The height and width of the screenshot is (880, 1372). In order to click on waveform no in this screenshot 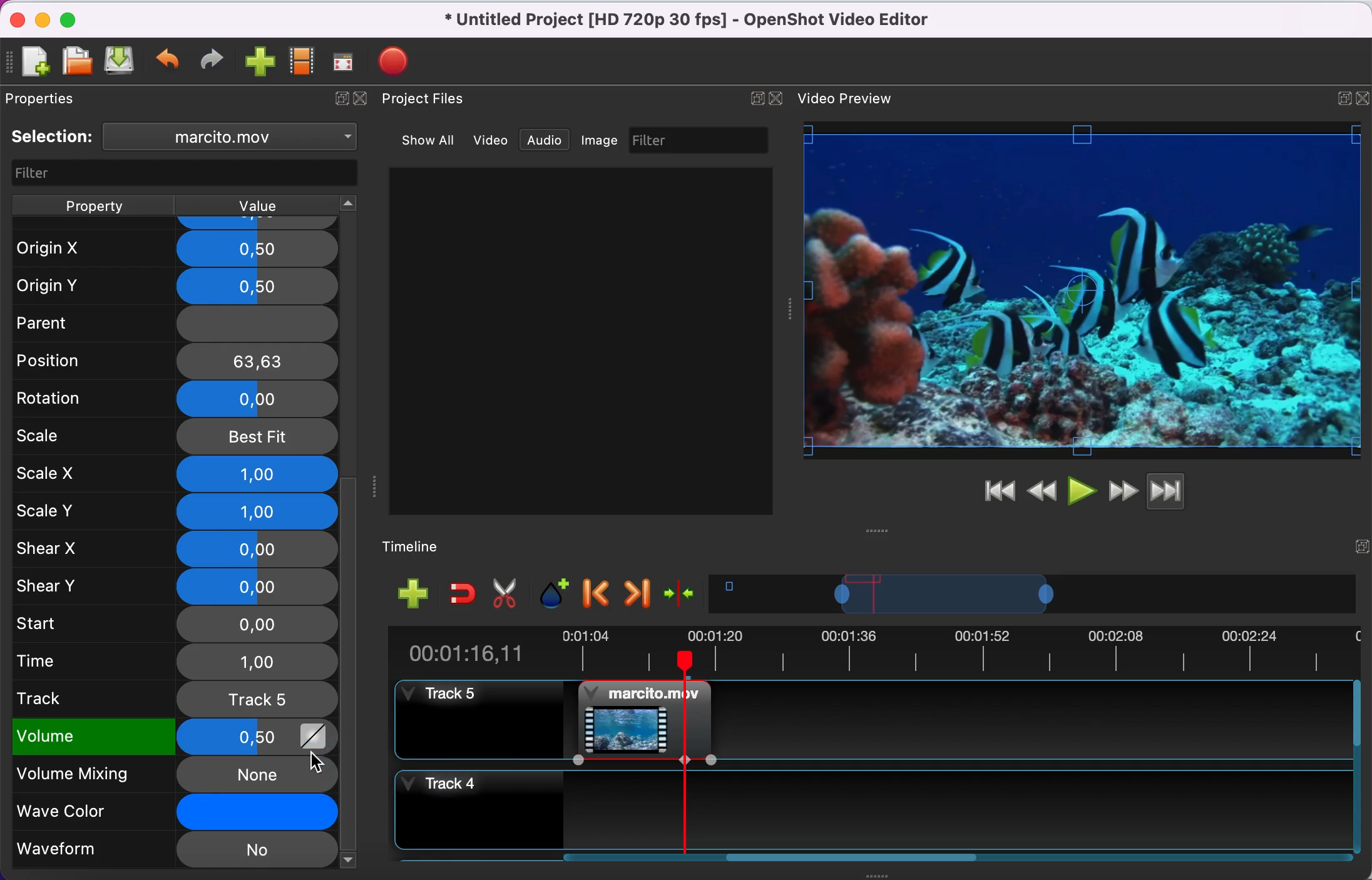, I will do `click(174, 851)`.